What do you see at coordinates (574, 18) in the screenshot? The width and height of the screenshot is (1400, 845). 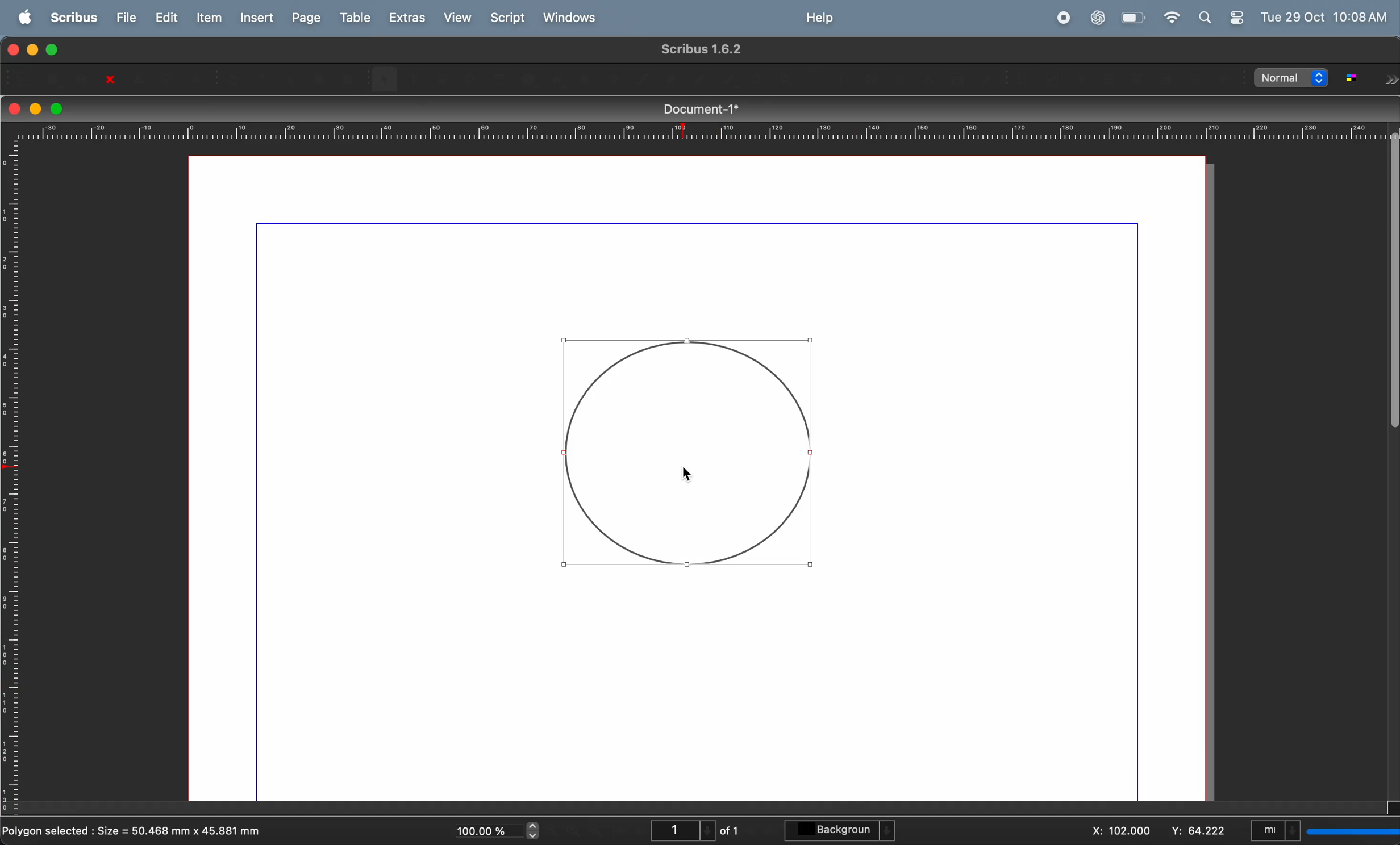 I see `windows` at bounding box center [574, 18].